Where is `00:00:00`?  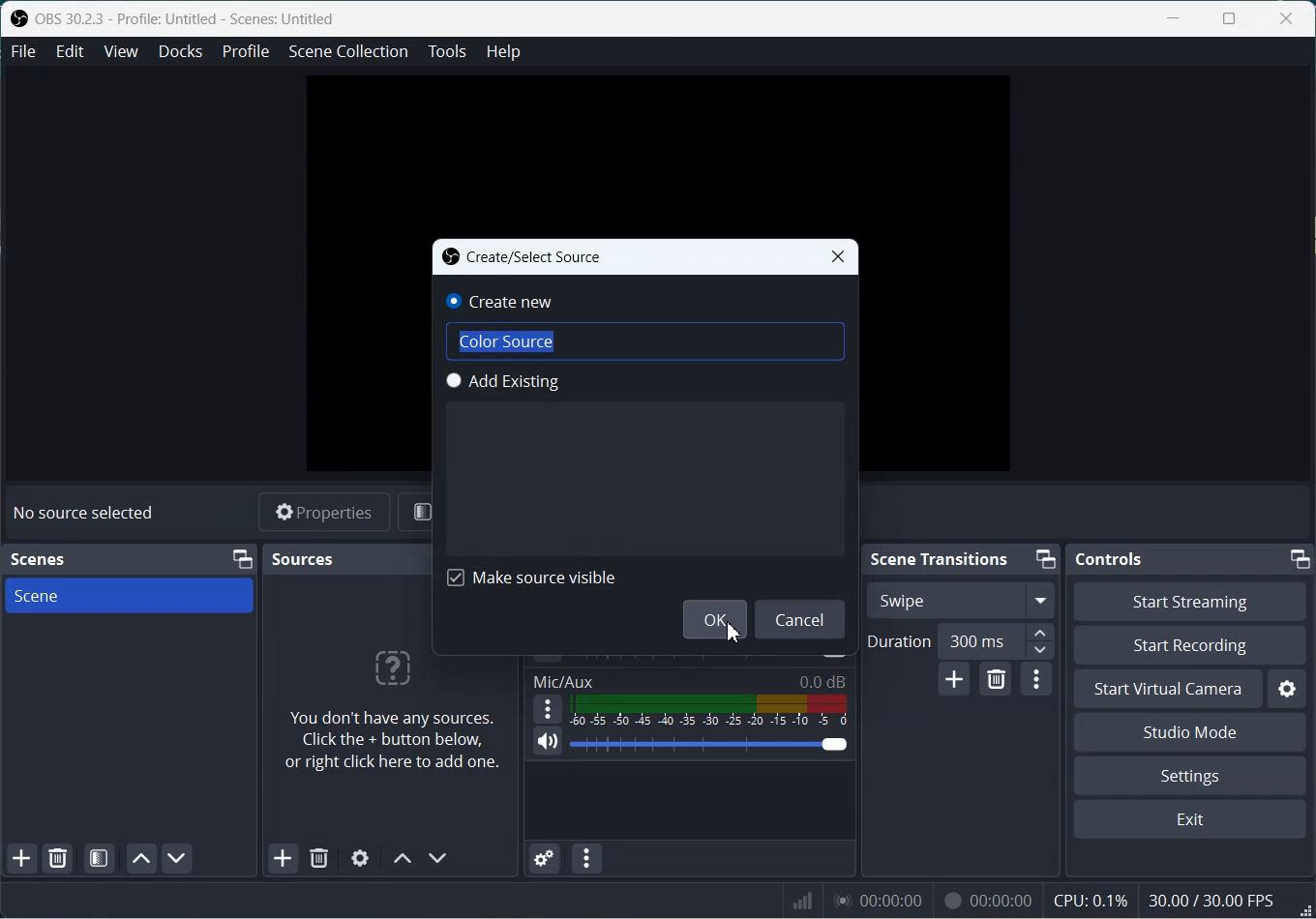
00:00:00 is located at coordinates (881, 898).